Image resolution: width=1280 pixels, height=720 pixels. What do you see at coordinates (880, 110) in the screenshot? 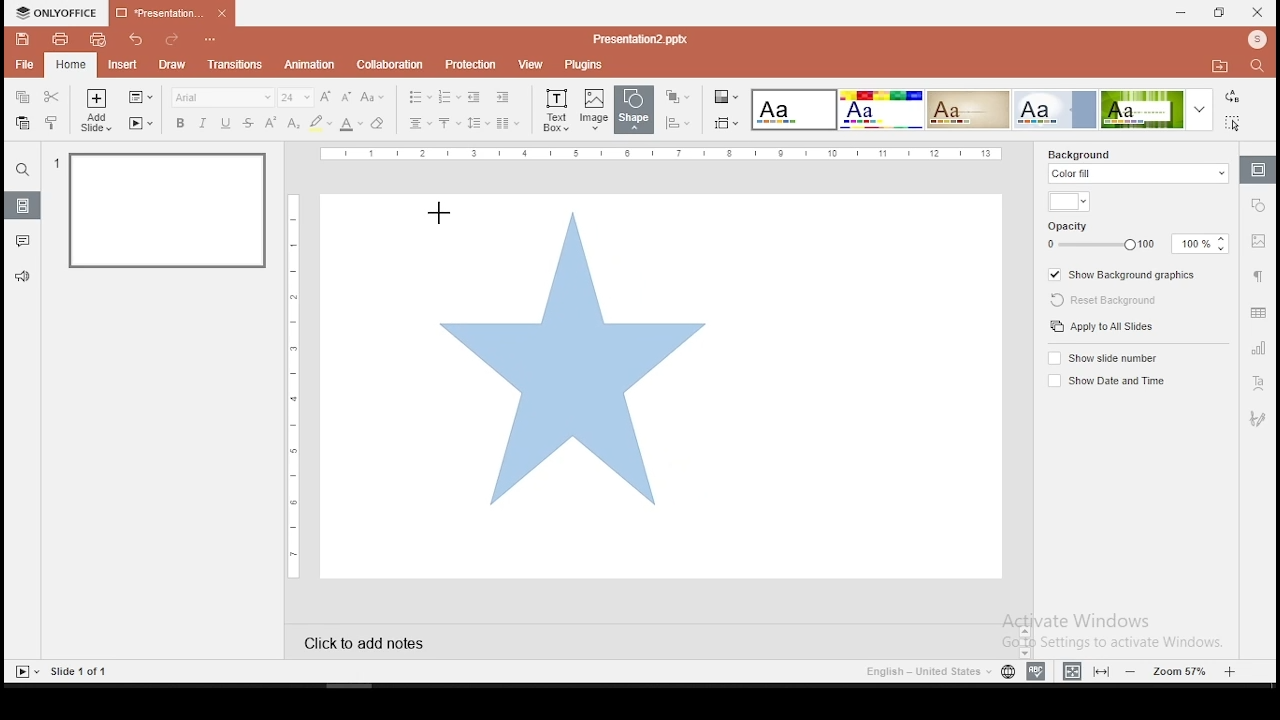
I see `` at bounding box center [880, 110].